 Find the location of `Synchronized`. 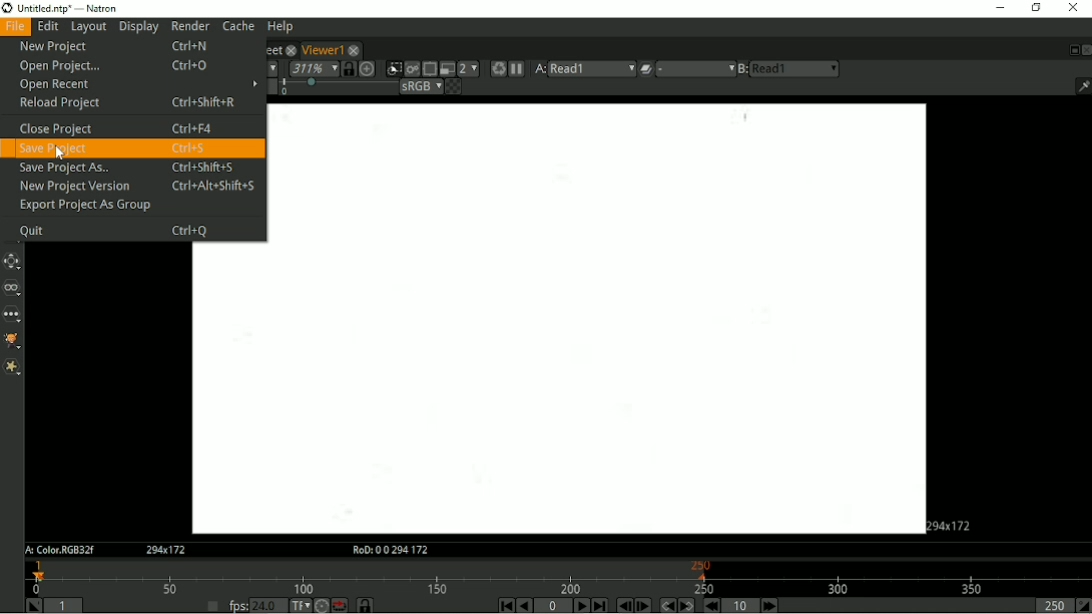

Synchronized is located at coordinates (347, 70).